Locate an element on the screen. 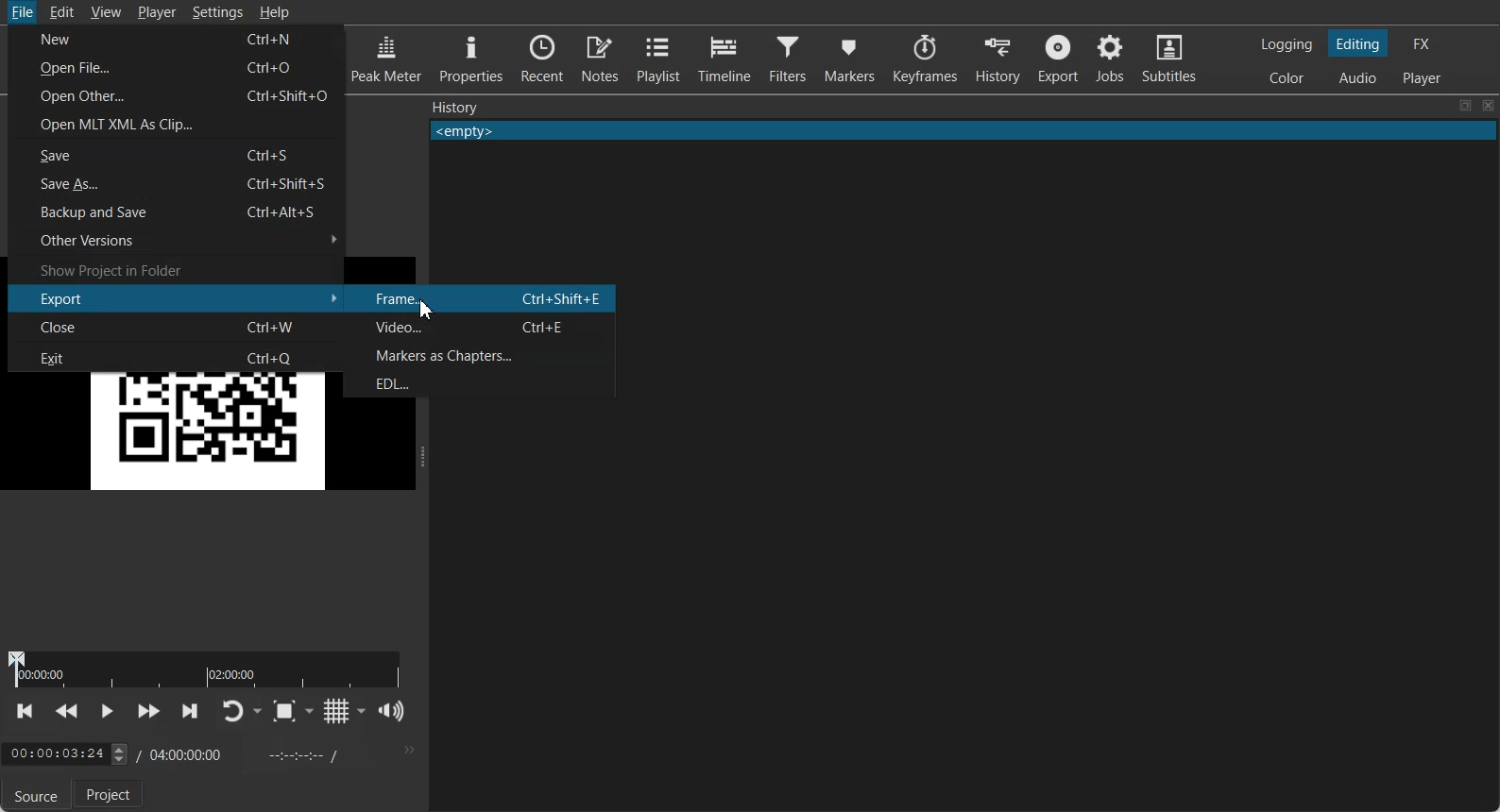 The height and width of the screenshot is (812, 1500). Drop down box is located at coordinates (362, 710).